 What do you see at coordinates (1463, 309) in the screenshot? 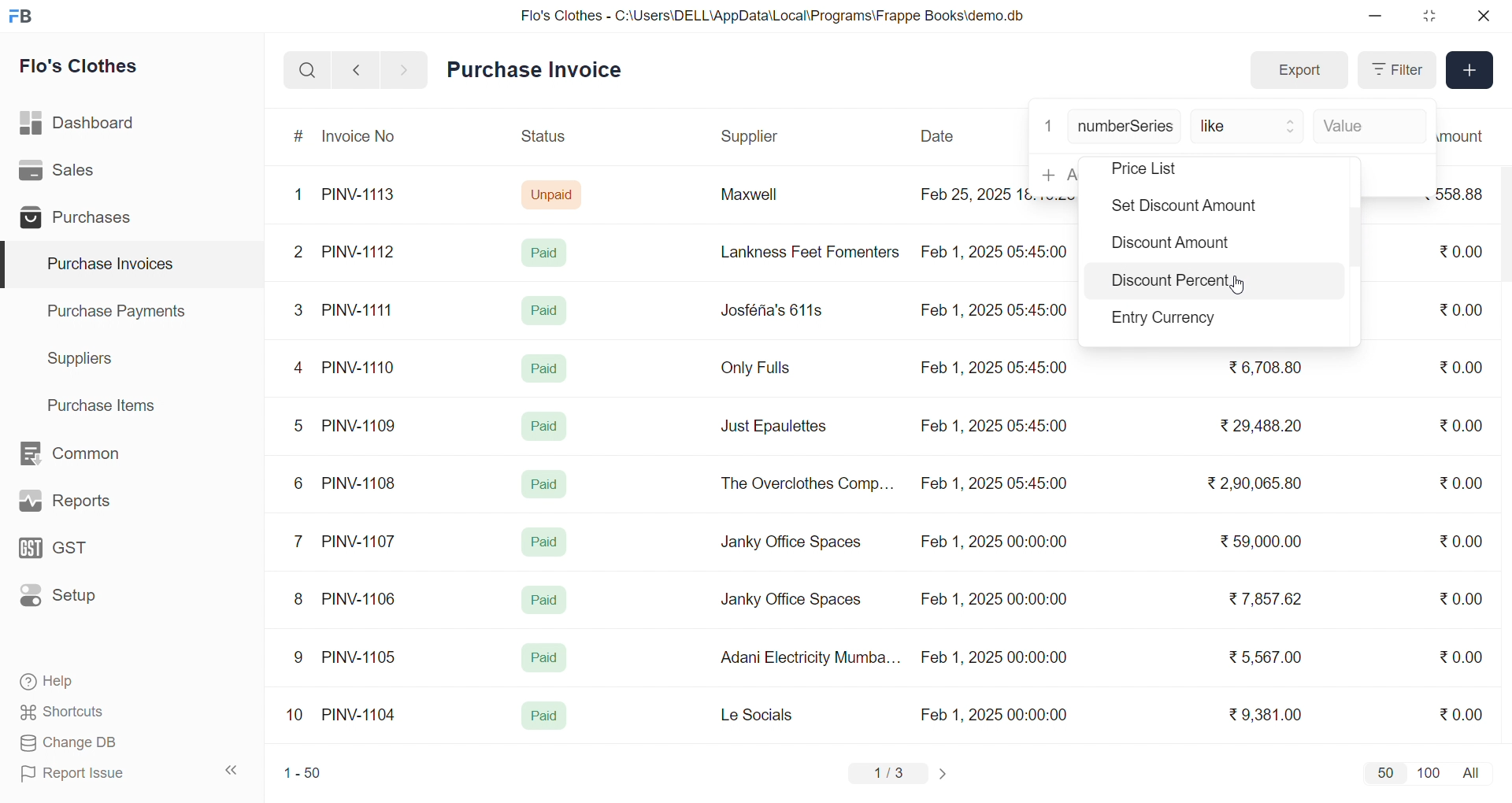
I see `₹0.00` at bounding box center [1463, 309].